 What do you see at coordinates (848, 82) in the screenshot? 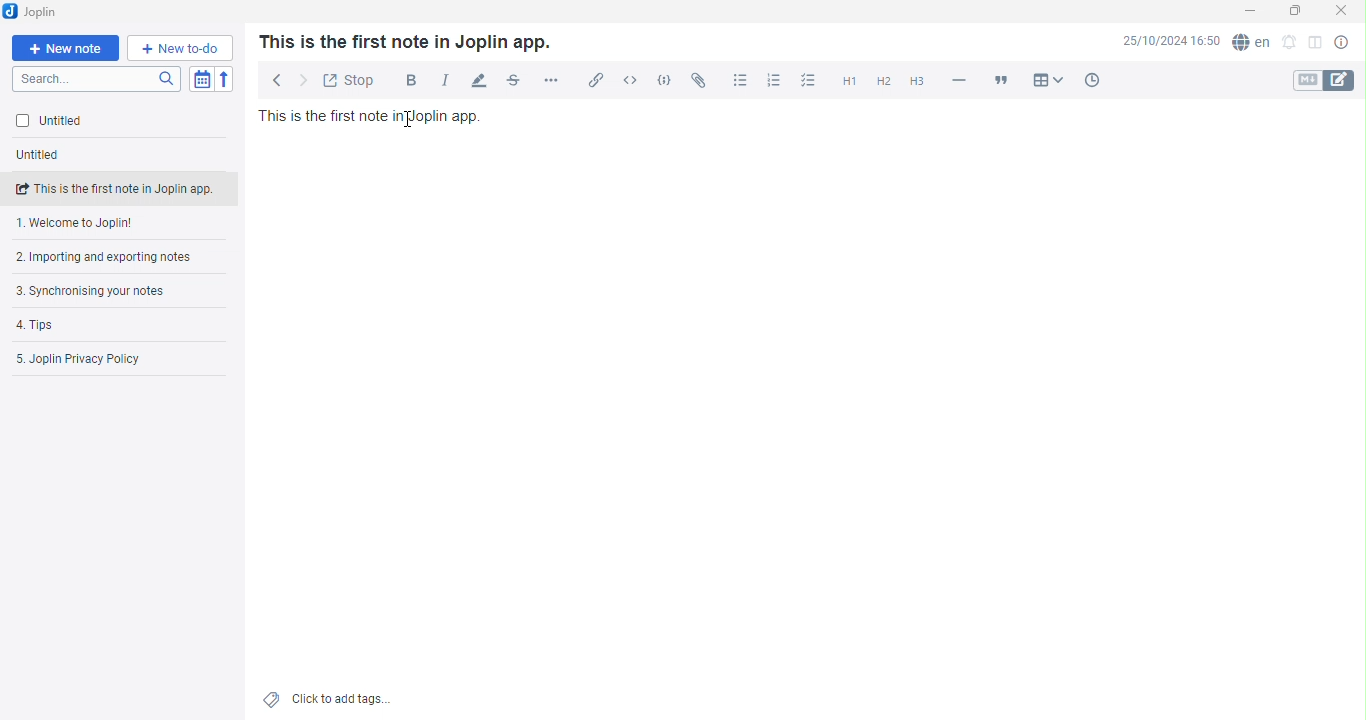
I see `Heading 1` at bounding box center [848, 82].